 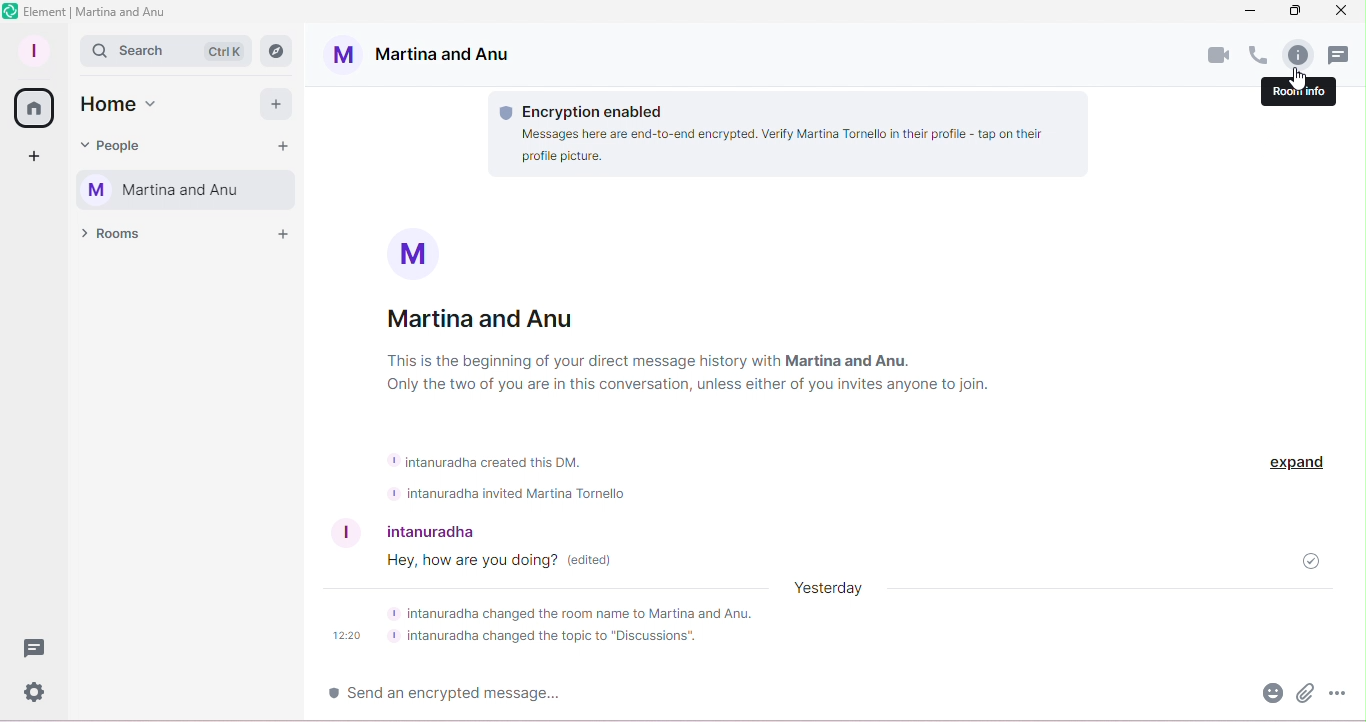 What do you see at coordinates (1305, 558) in the screenshot?
I see `Message sent` at bounding box center [1305, 558].